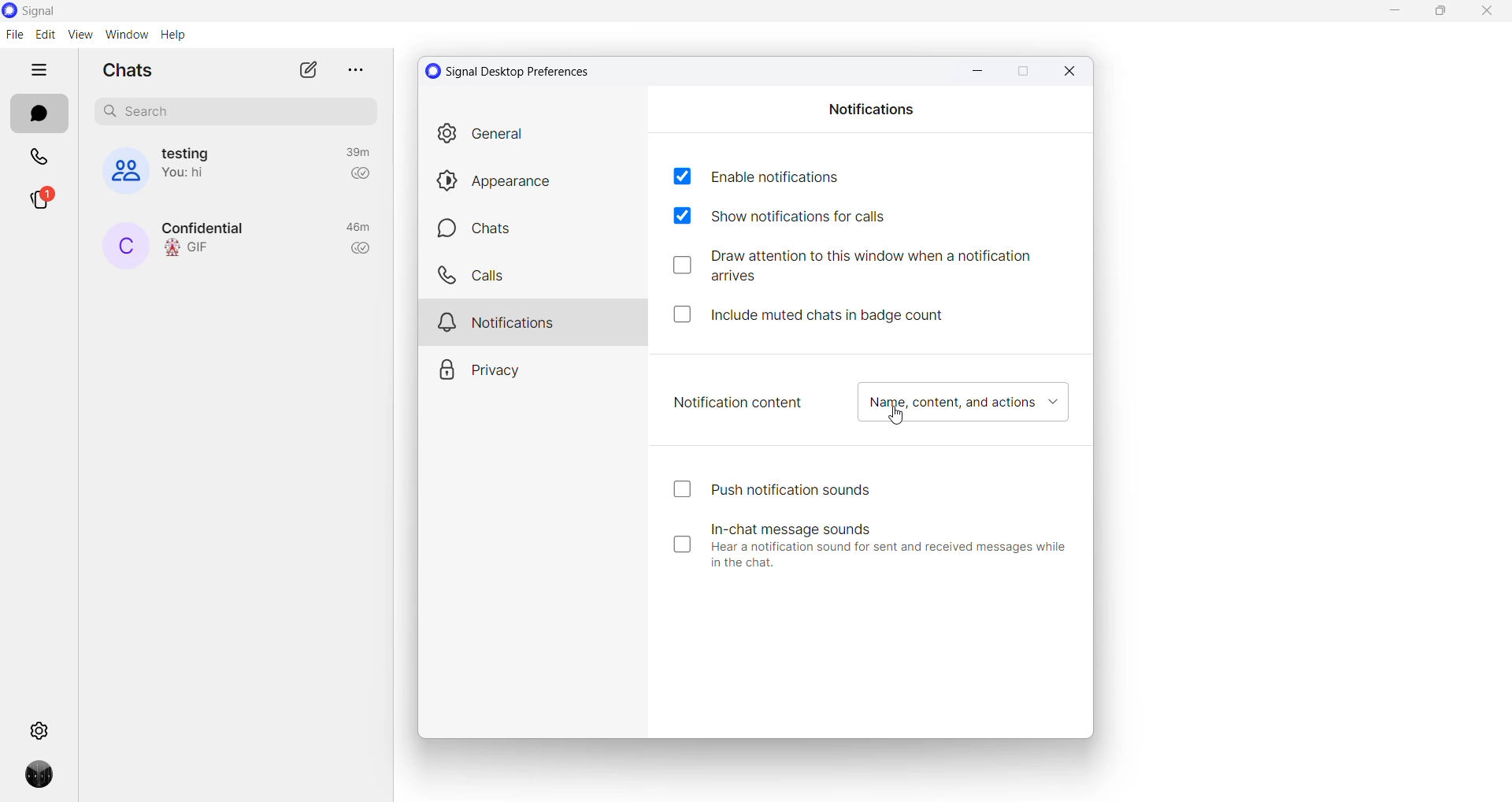 This screenshot has height=802, width=1512. I want to click on last message, so click(191, 175).